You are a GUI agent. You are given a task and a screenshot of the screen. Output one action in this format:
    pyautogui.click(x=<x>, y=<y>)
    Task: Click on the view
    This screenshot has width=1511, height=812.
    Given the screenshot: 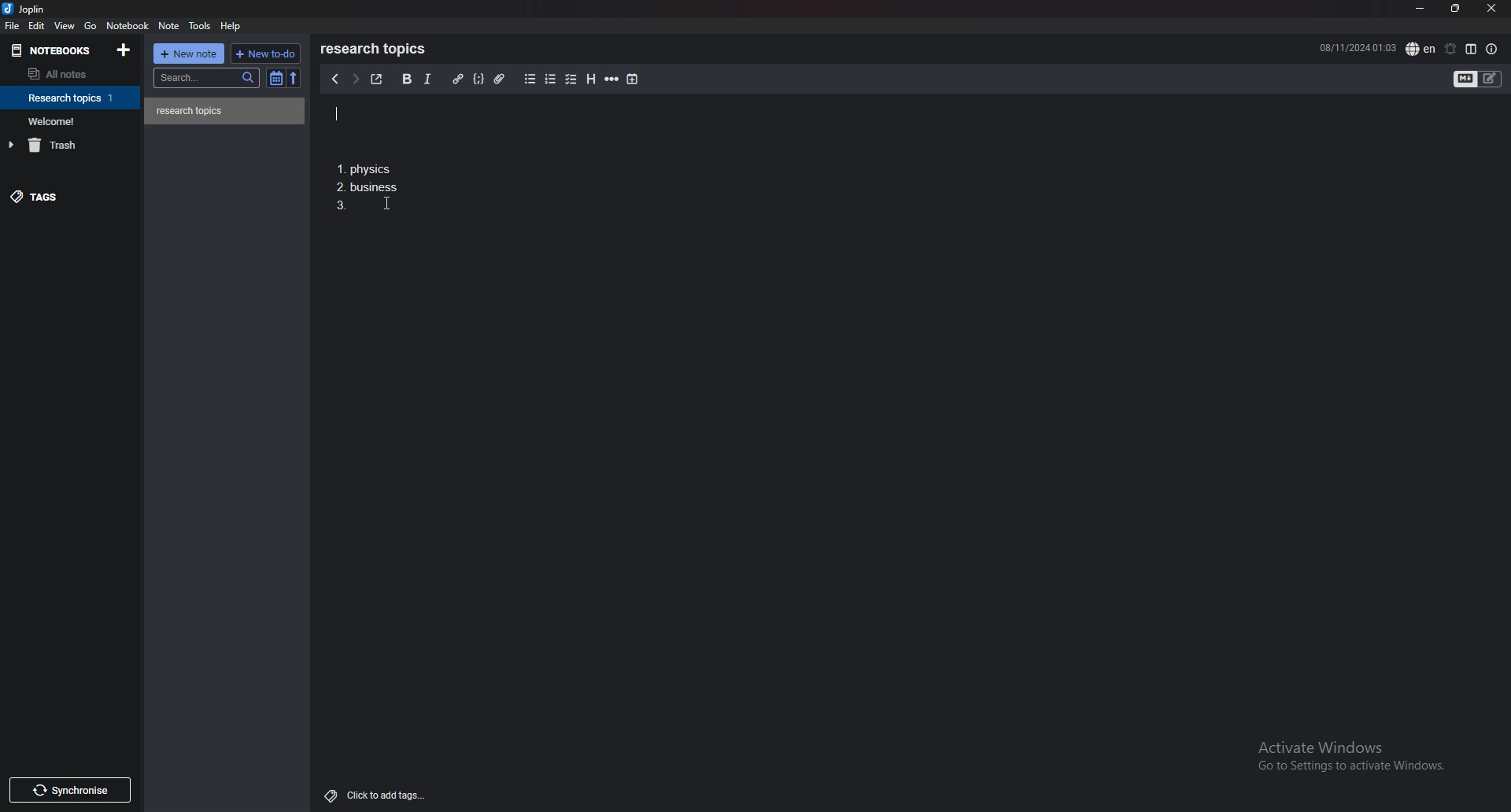 What is the action you would take?
    pyautogui.click(x=65, y=26)
    